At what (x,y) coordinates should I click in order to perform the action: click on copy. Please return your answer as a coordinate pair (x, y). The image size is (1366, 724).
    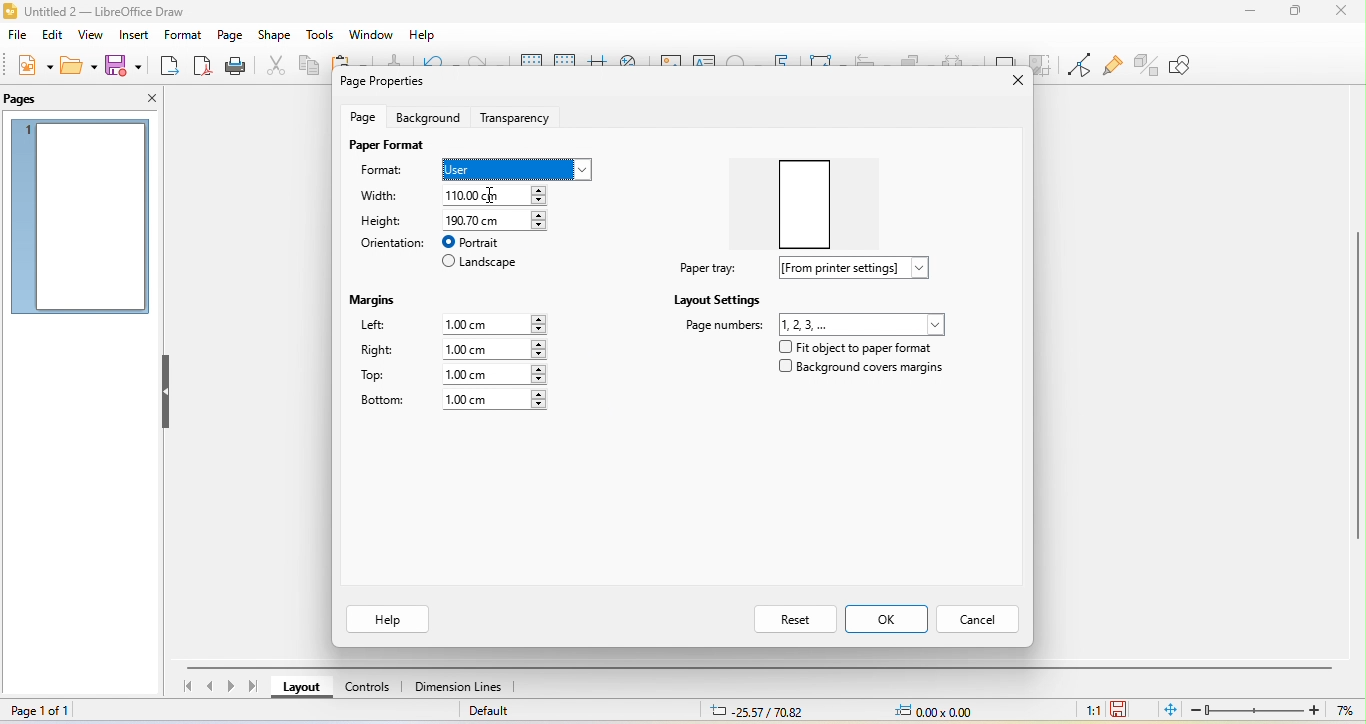
    Looking at the image, I should click on (308, 68).